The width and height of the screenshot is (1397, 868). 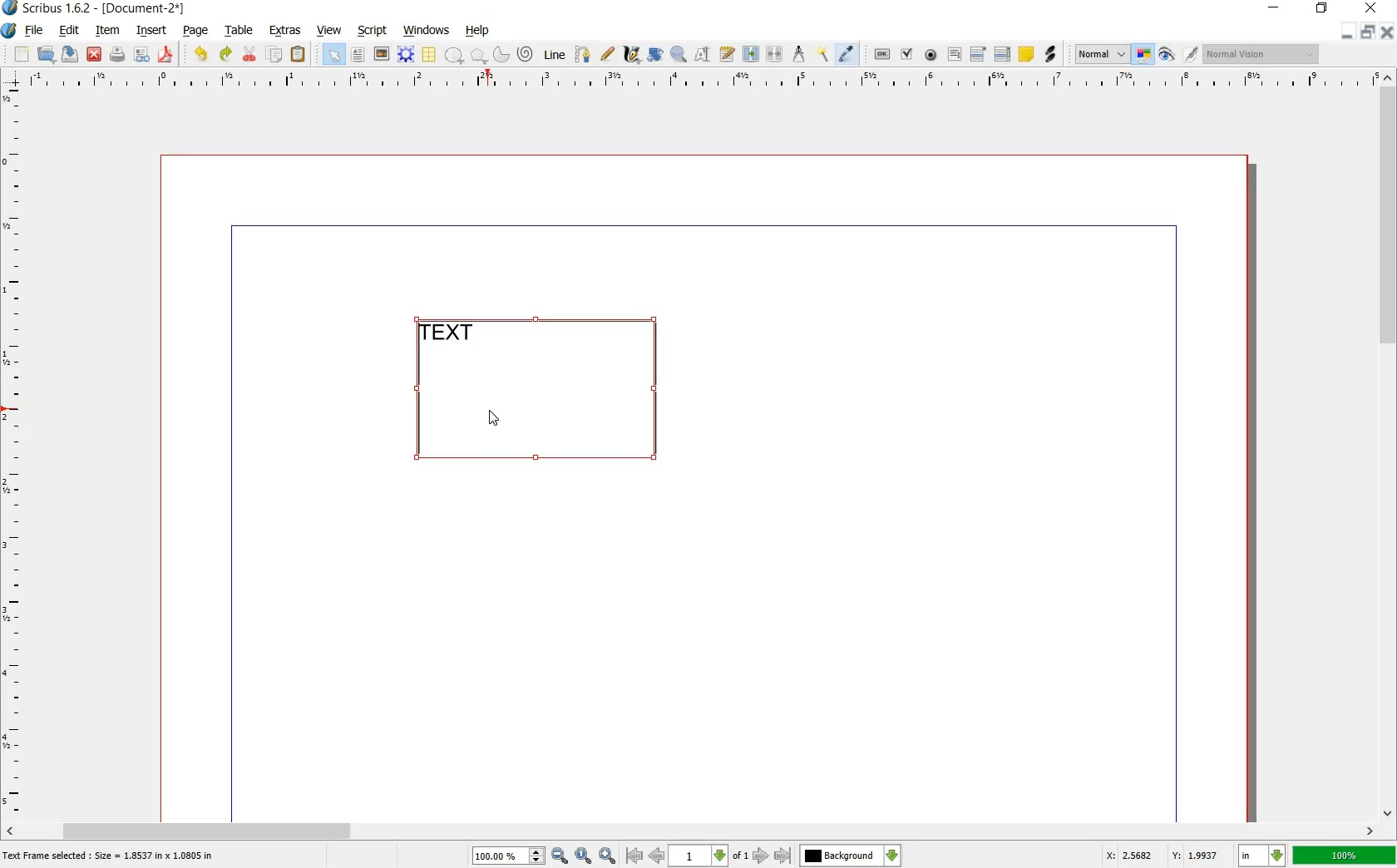 I want to click on 100%, so click(x=500, y=856).